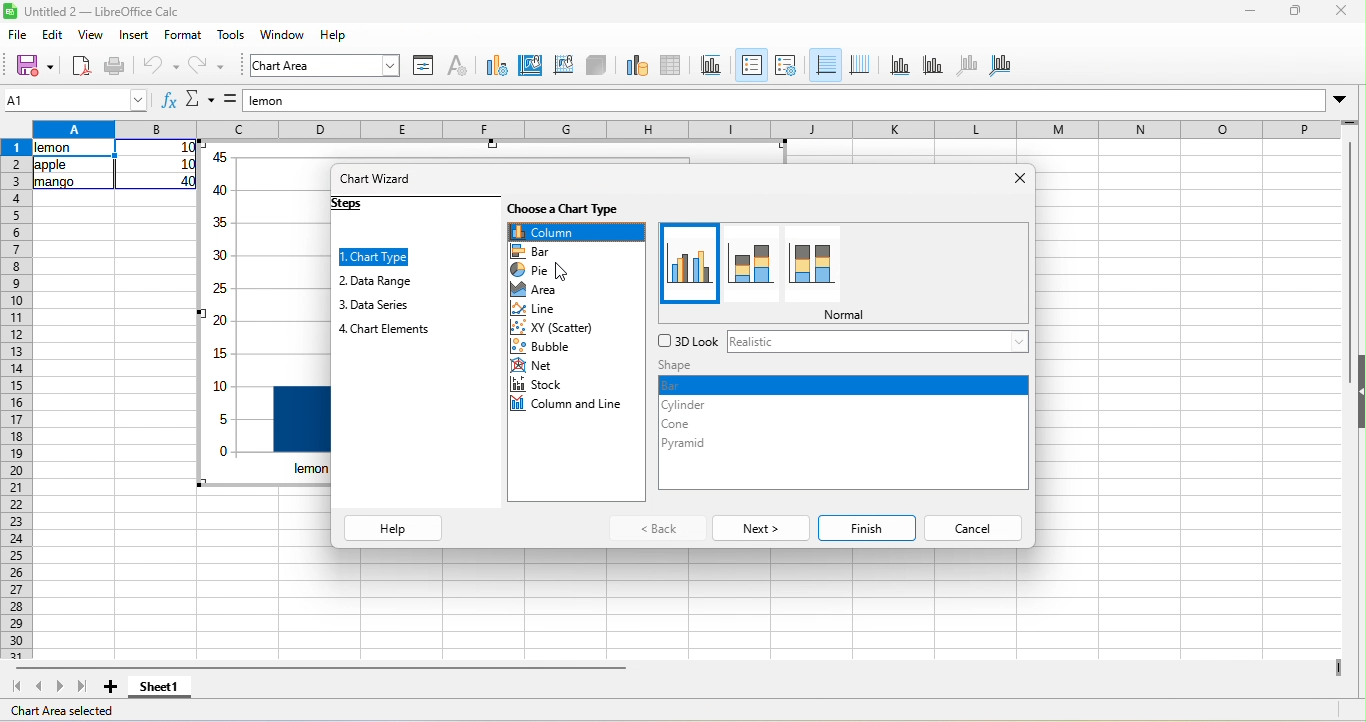  What do you see at coordinates (695, 425) in the screenshot?
I see `cone` at bounding box center [695, 425].